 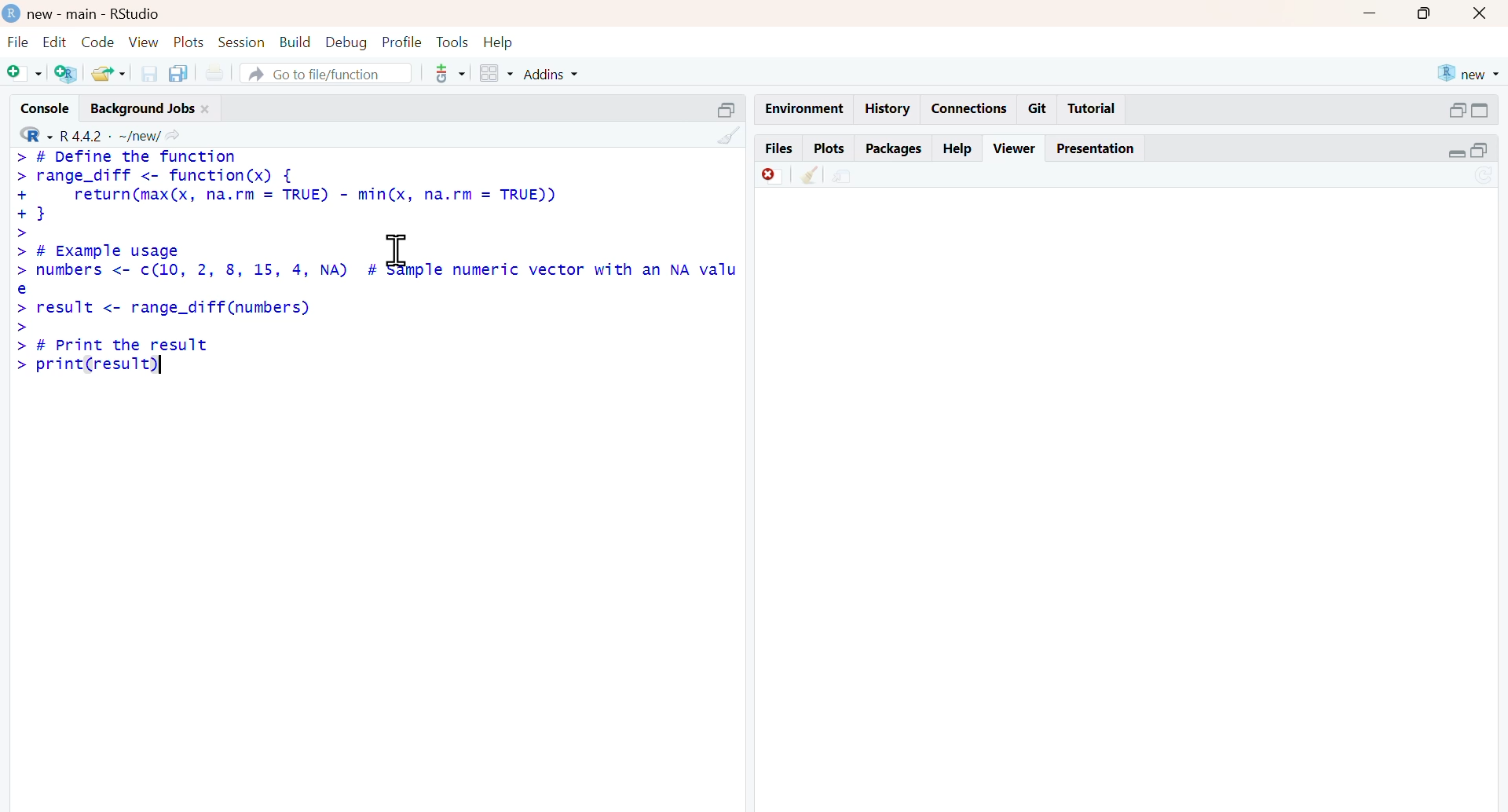 What do you see at coordinates (804, 110) in the screenshot?
I see `Environment ` at bounding box center [804, 110].